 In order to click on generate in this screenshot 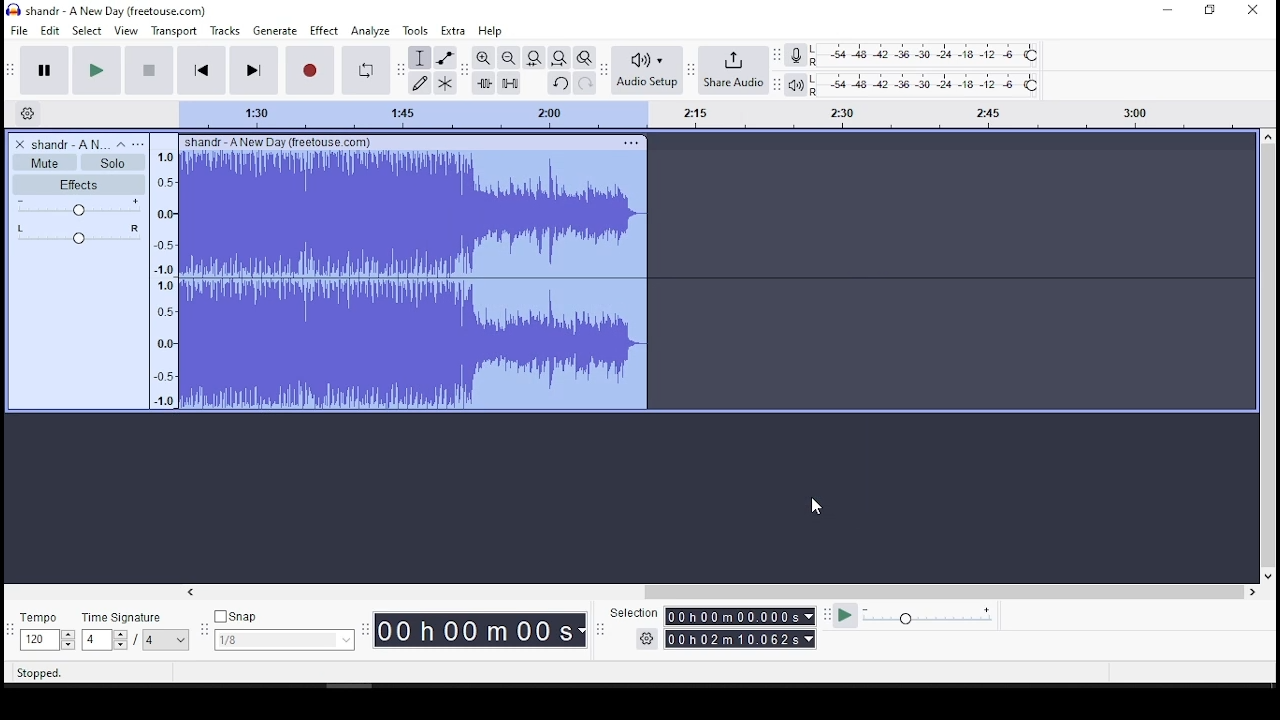, I will do `click(275, 31)`.